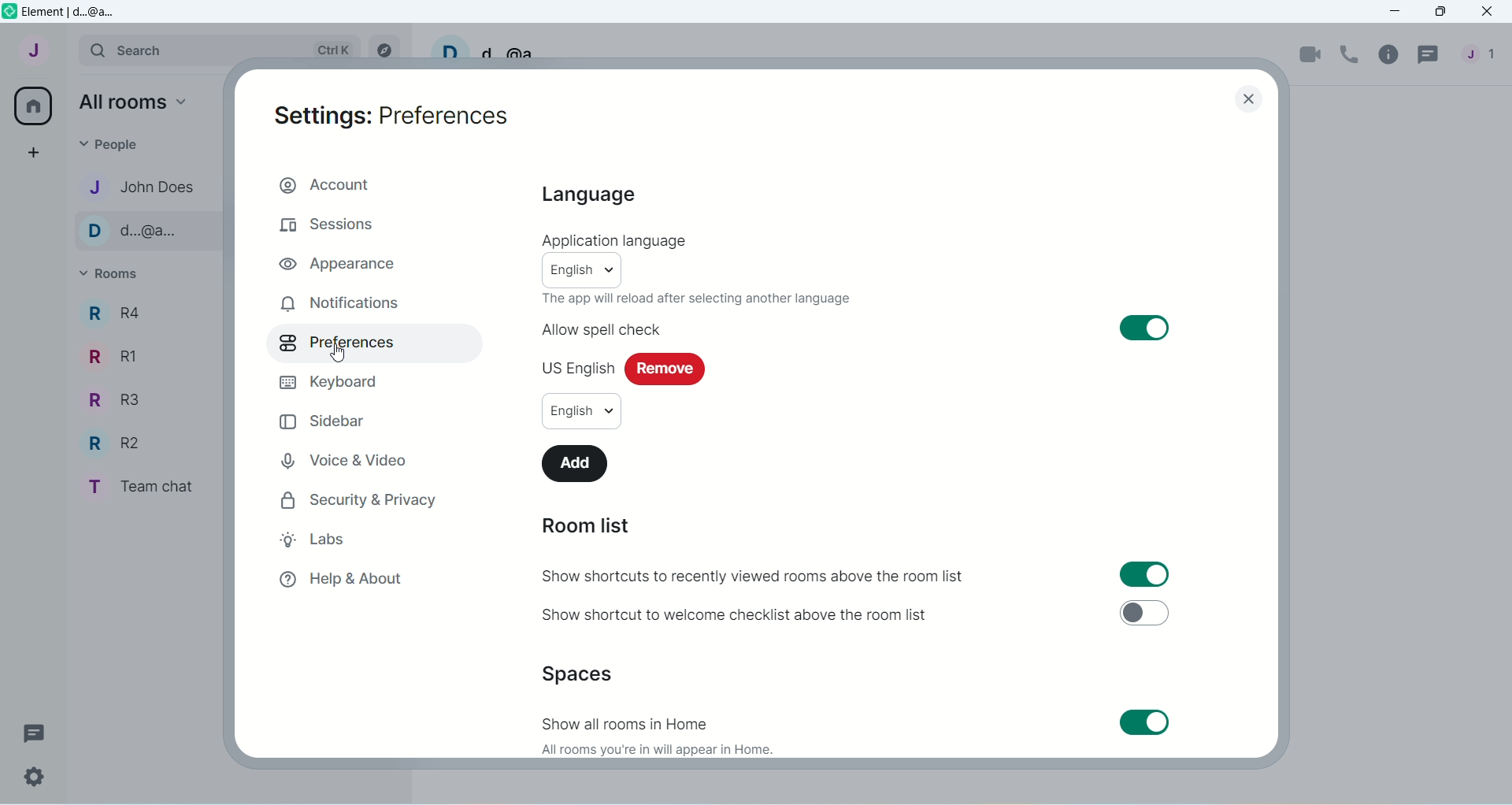 This screenshot has height=805, width=1512. What do you see at coordinates (732, 616) in the screenshot?
I see `Show shortcut to welcome checklist above the room list` at bounding box center [732, 616].